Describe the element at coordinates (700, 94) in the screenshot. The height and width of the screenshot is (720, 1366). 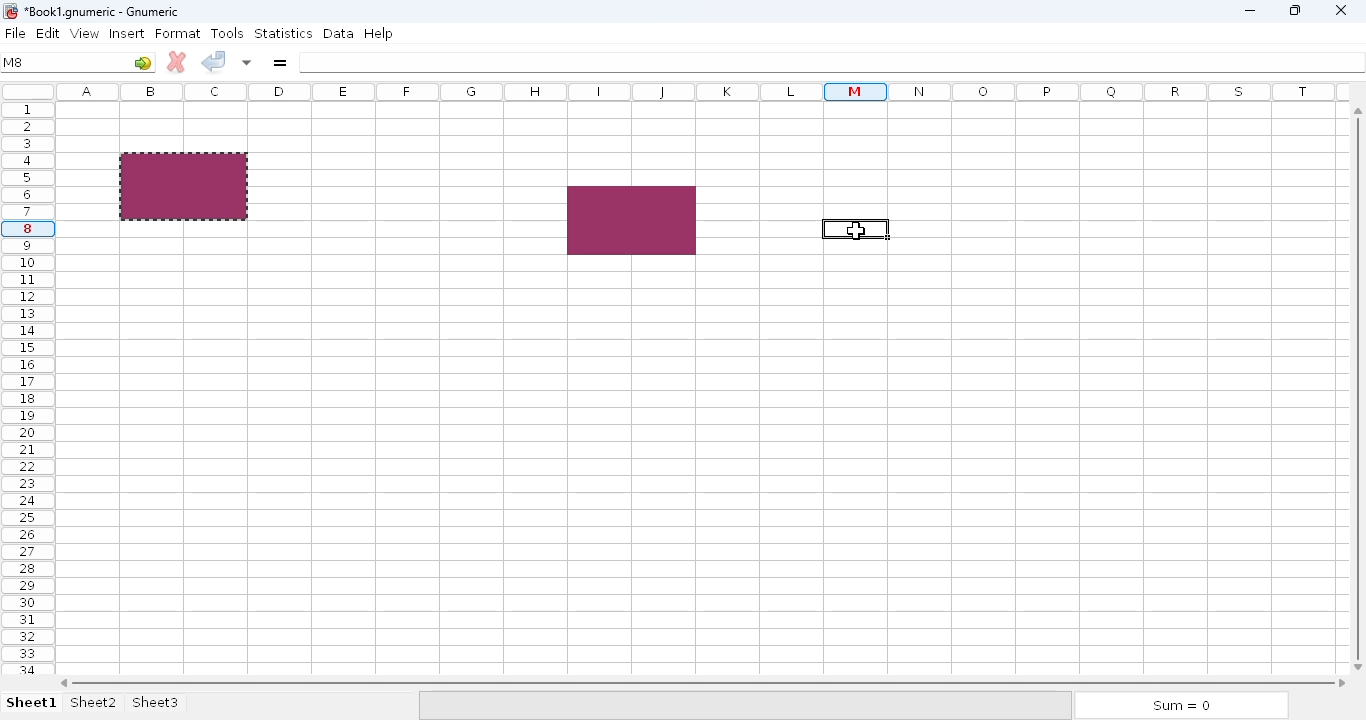
I see `columns` at that location.